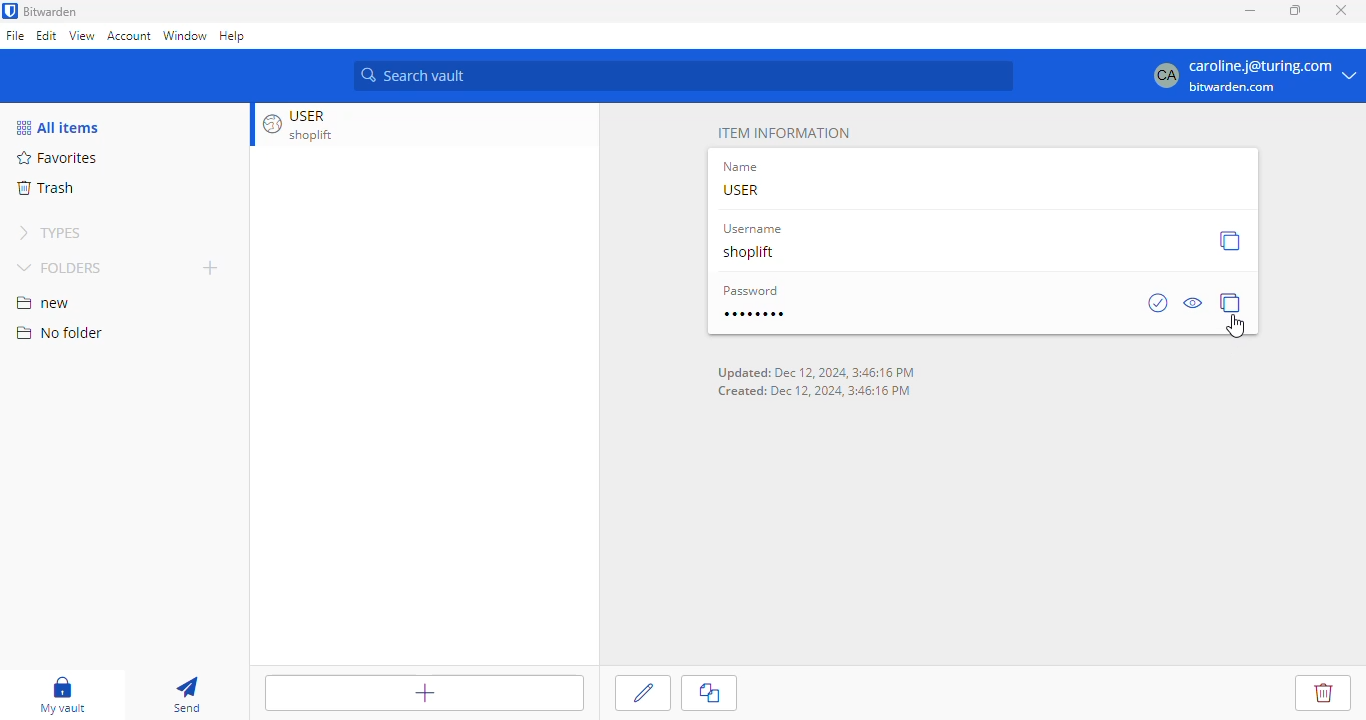  Describe the element at coordinates (1340, 10) in the screenshot. I see `close` at that location.